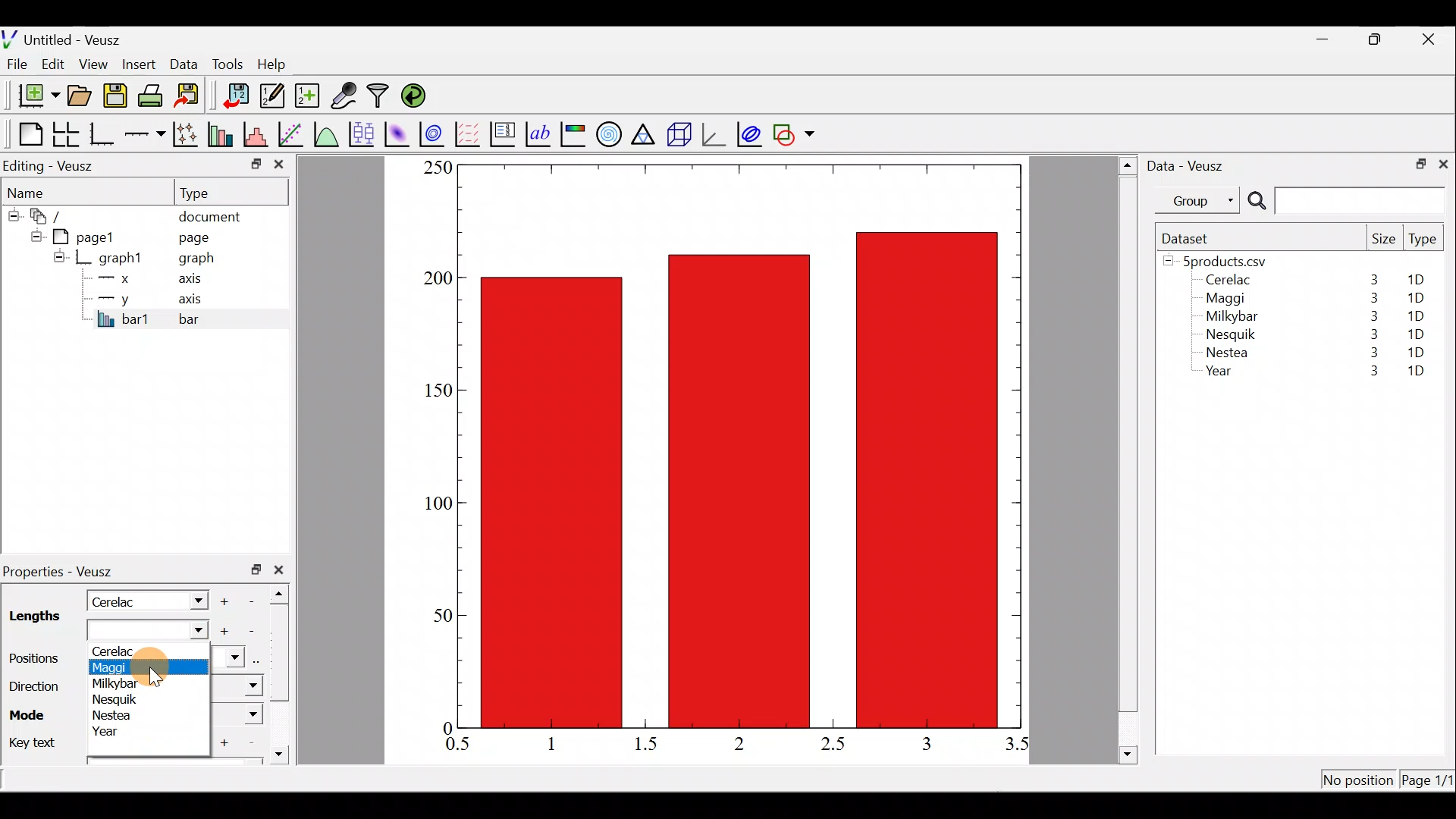  I want to click on 1D, so click(1421, 280).